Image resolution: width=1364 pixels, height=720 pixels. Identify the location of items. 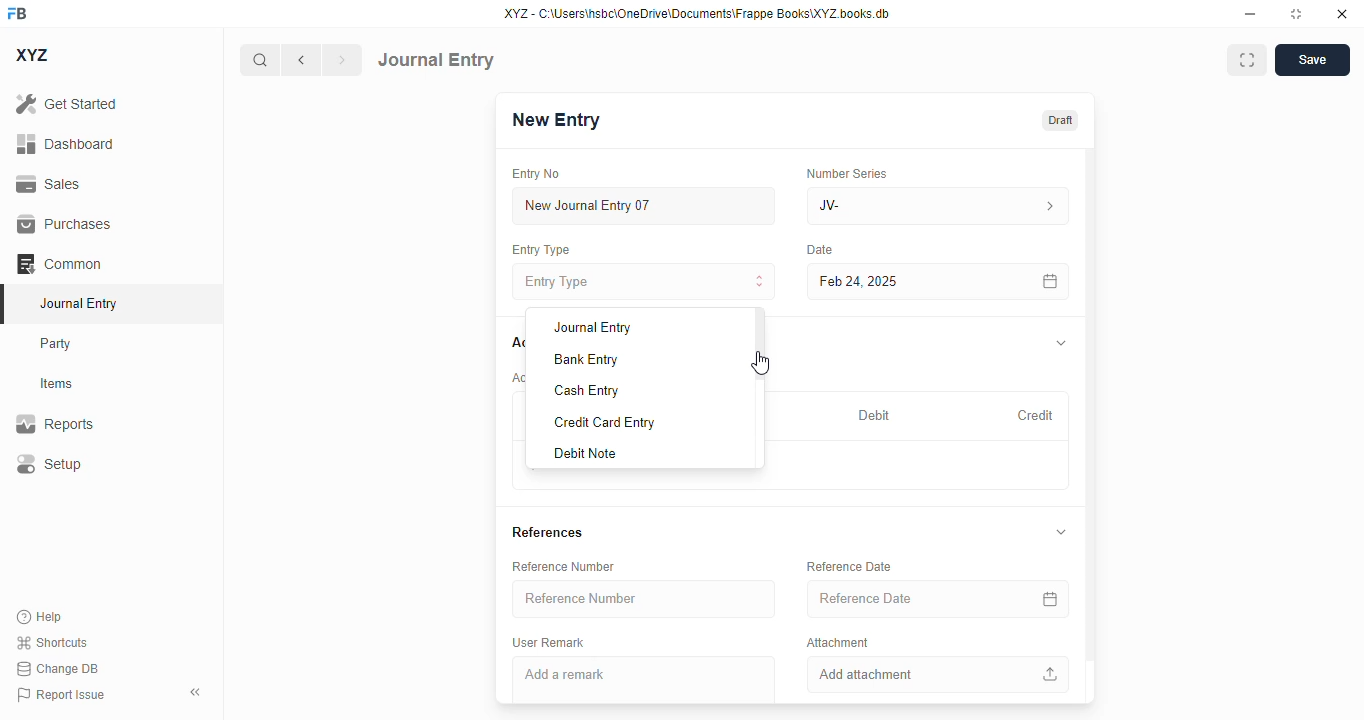
(57, 384).